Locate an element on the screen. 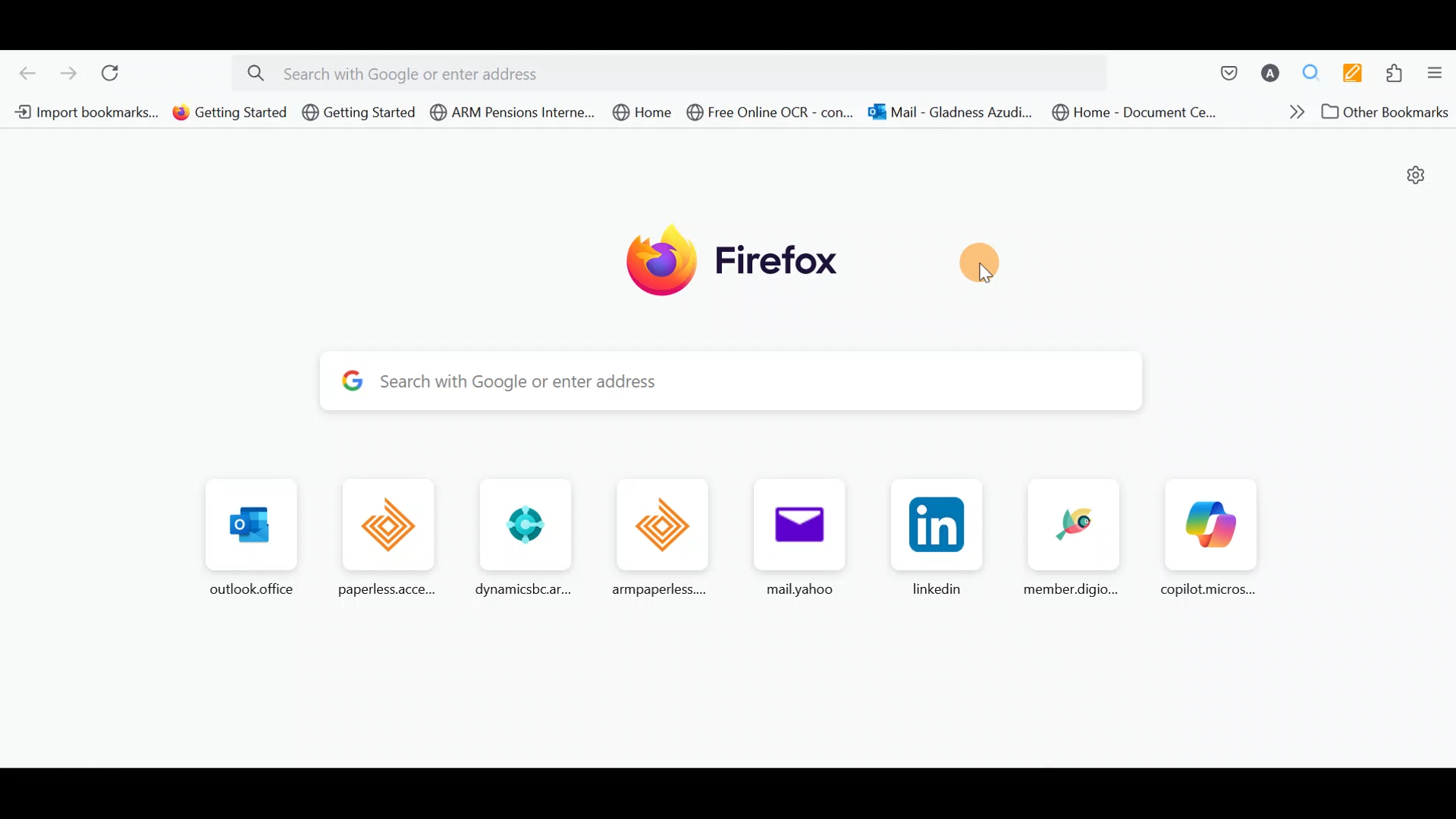  Bookmark 5 is located at coordinates (643, 115).